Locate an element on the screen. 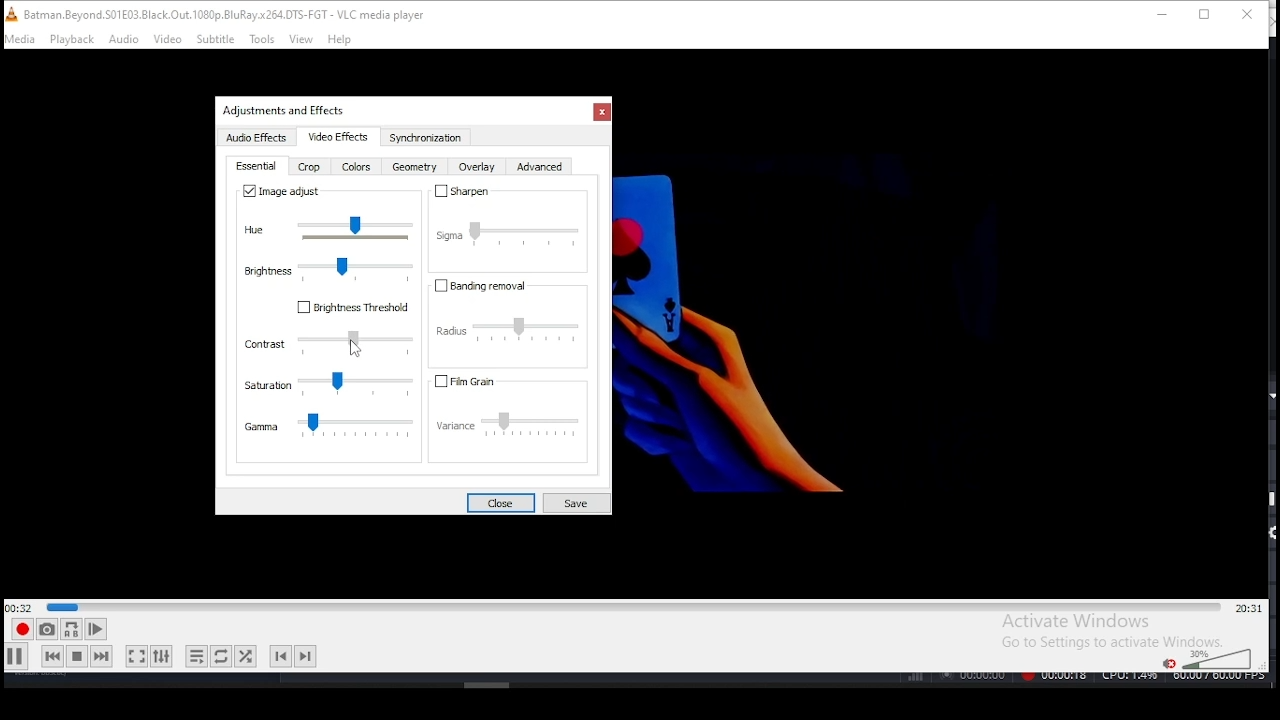  stop is located at coordinates (76, 656).